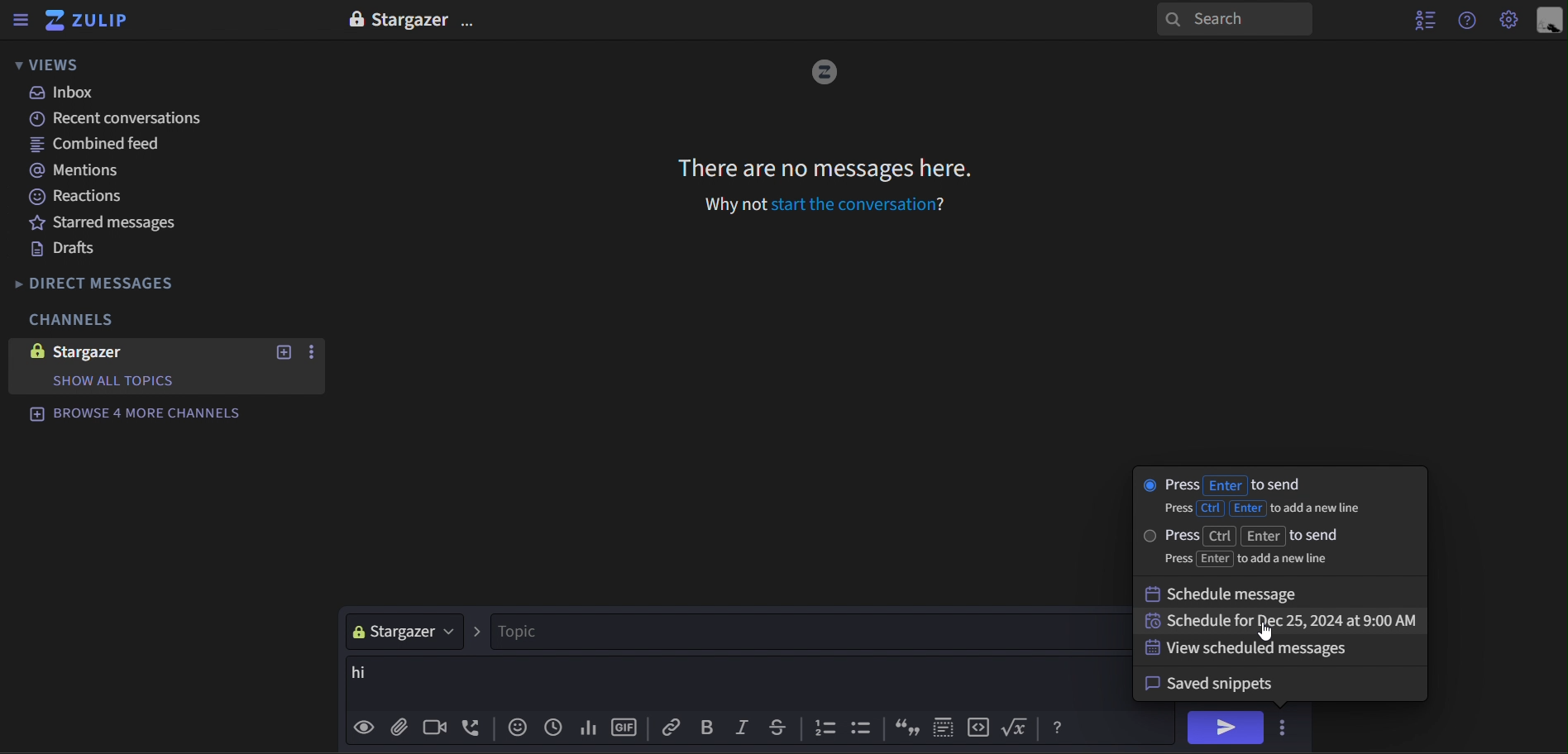  I want to click on Start the conversation, so click(860, 204).